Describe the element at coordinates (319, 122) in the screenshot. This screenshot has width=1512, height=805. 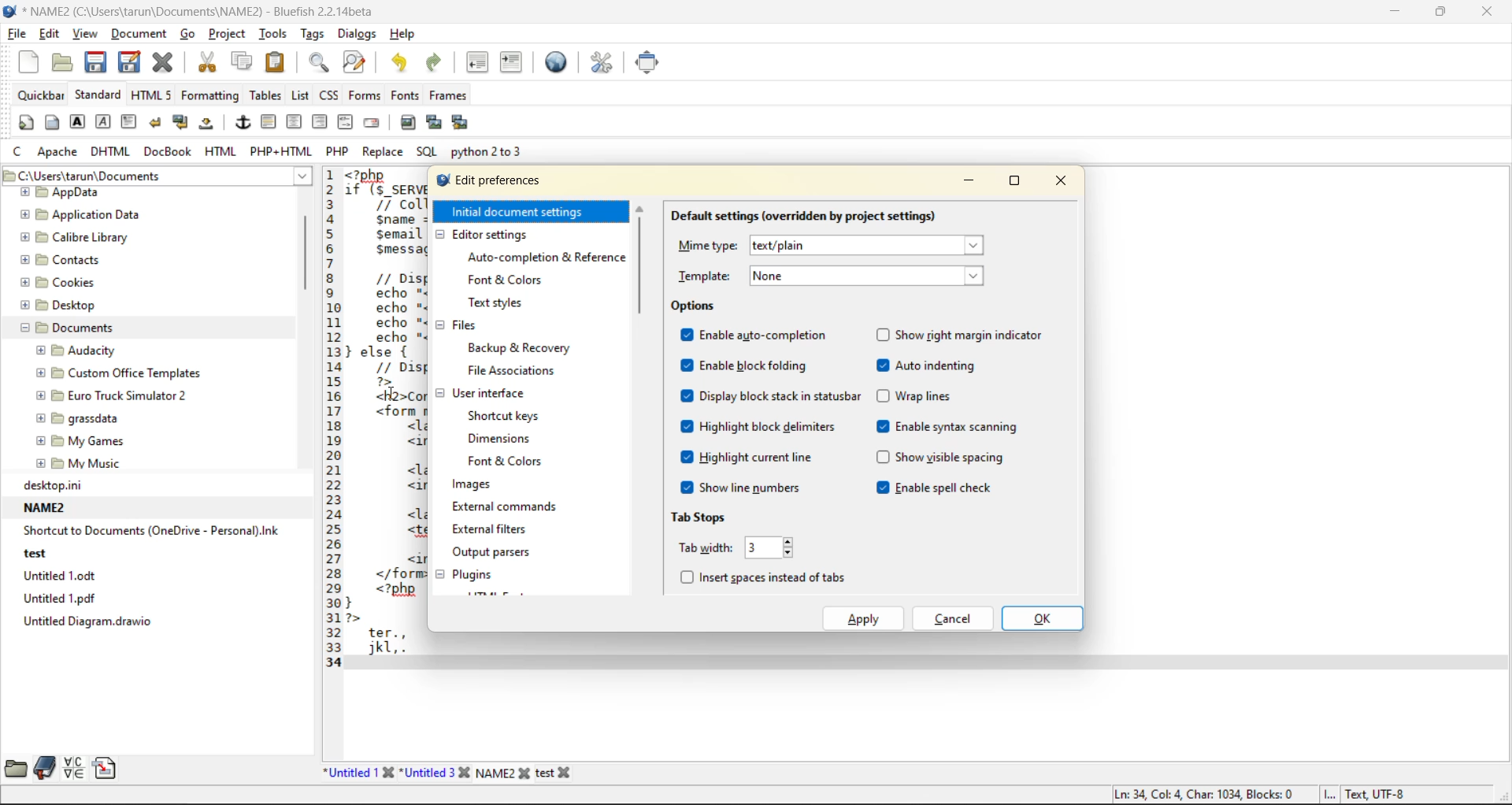
I see `right justify` at that location.